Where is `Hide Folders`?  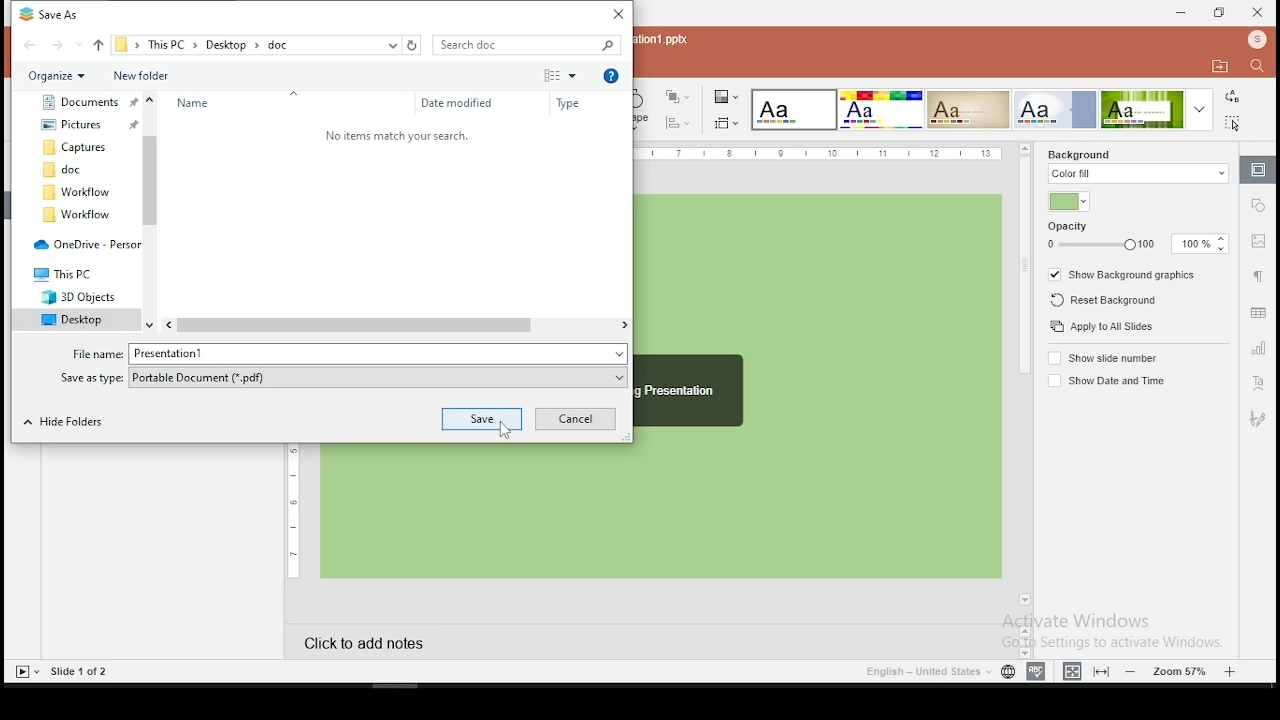 Hide Folders is located at coordinates (72, 423).